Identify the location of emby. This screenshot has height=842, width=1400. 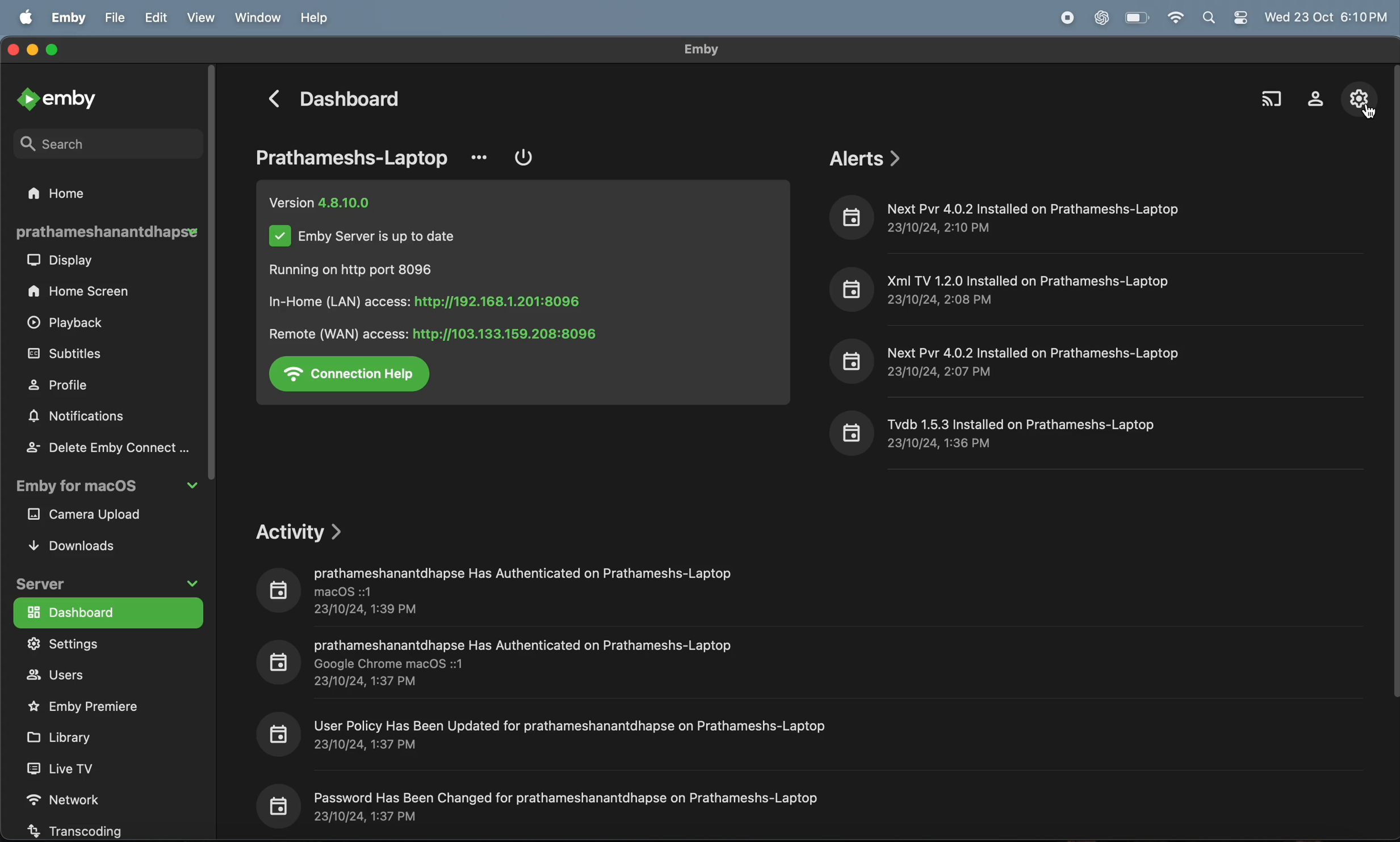
(695, 49).